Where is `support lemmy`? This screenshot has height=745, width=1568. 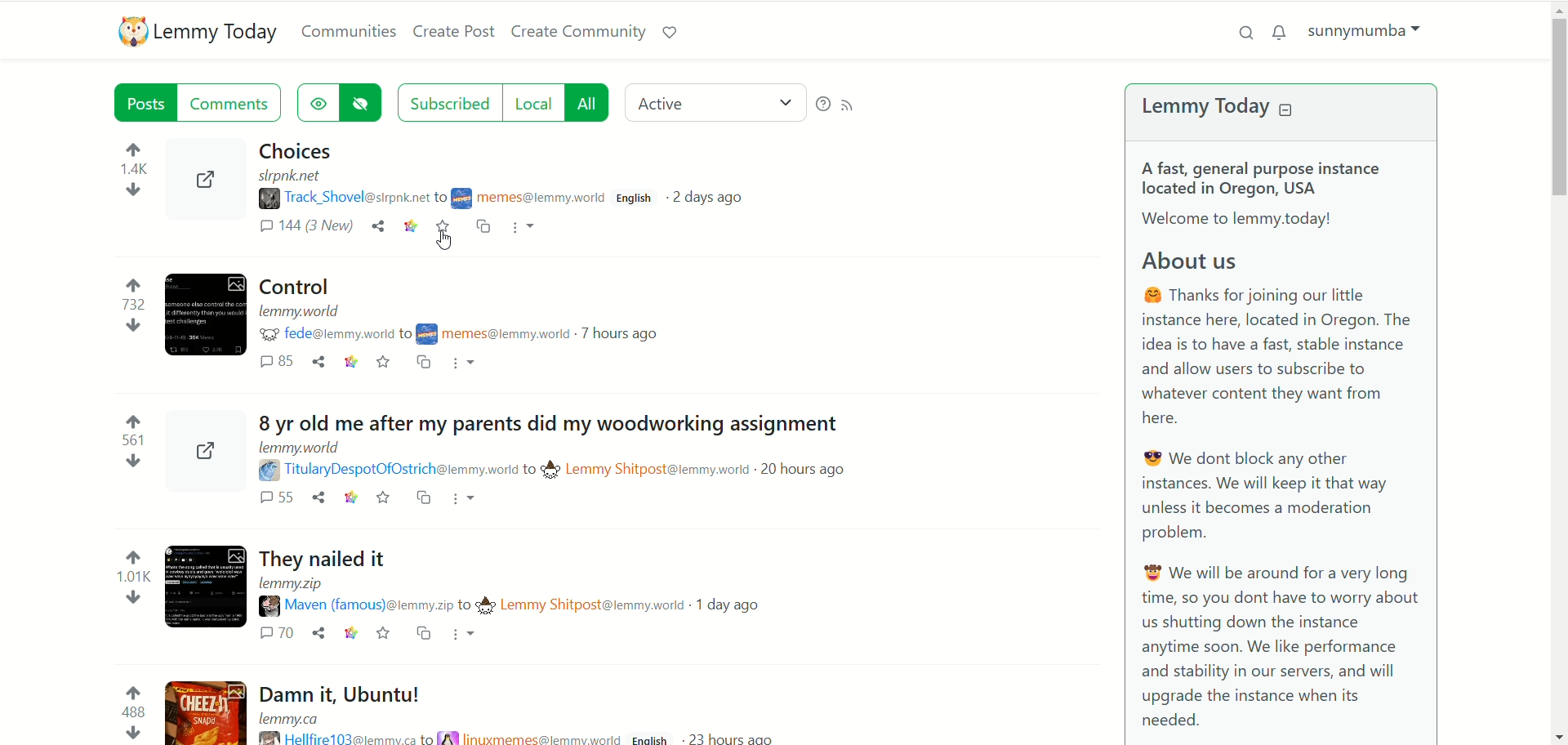
support lemmy is located at coordinates (677, 34).